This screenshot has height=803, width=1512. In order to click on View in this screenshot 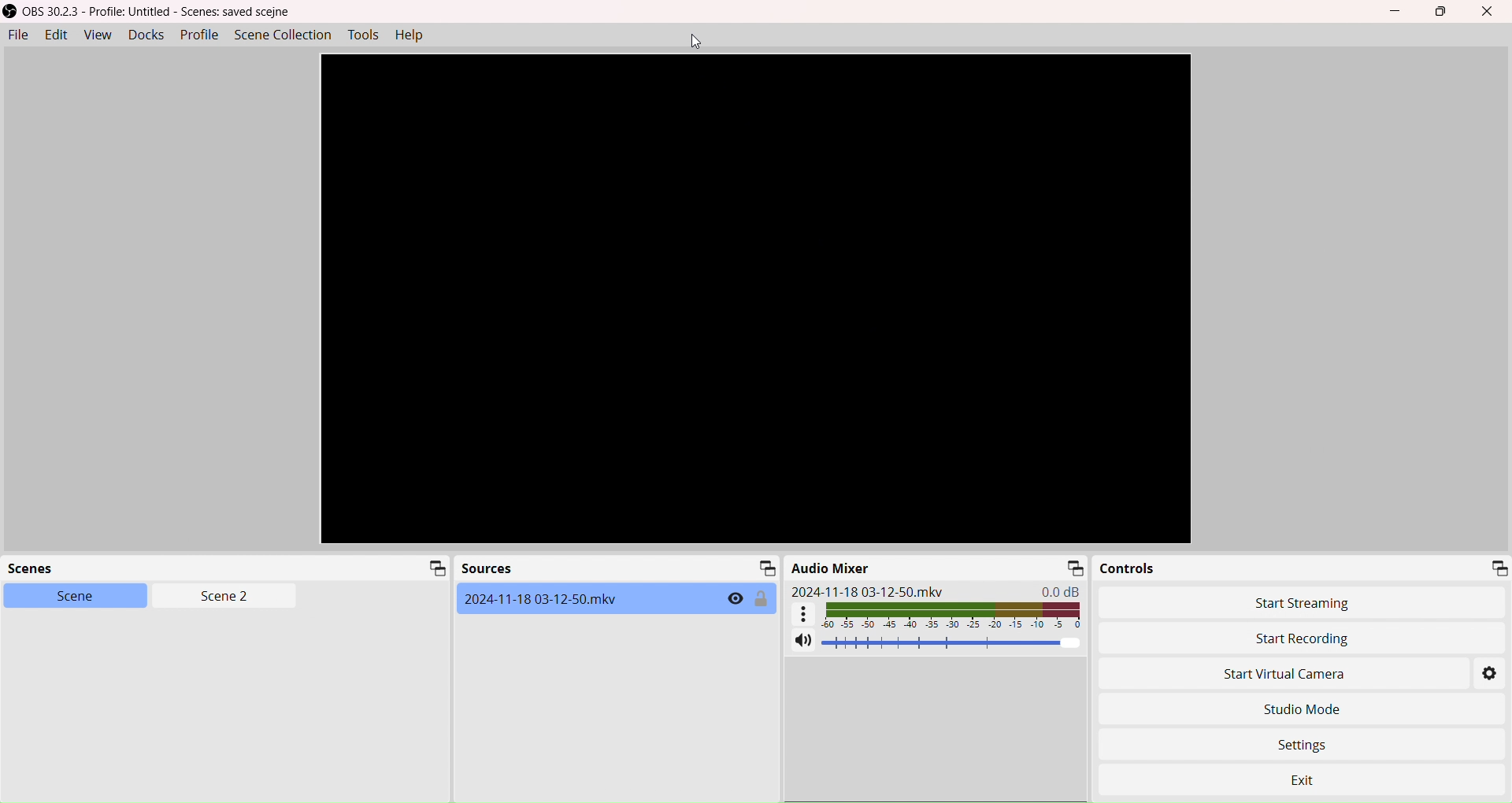, I will do `click(95, 35)`.